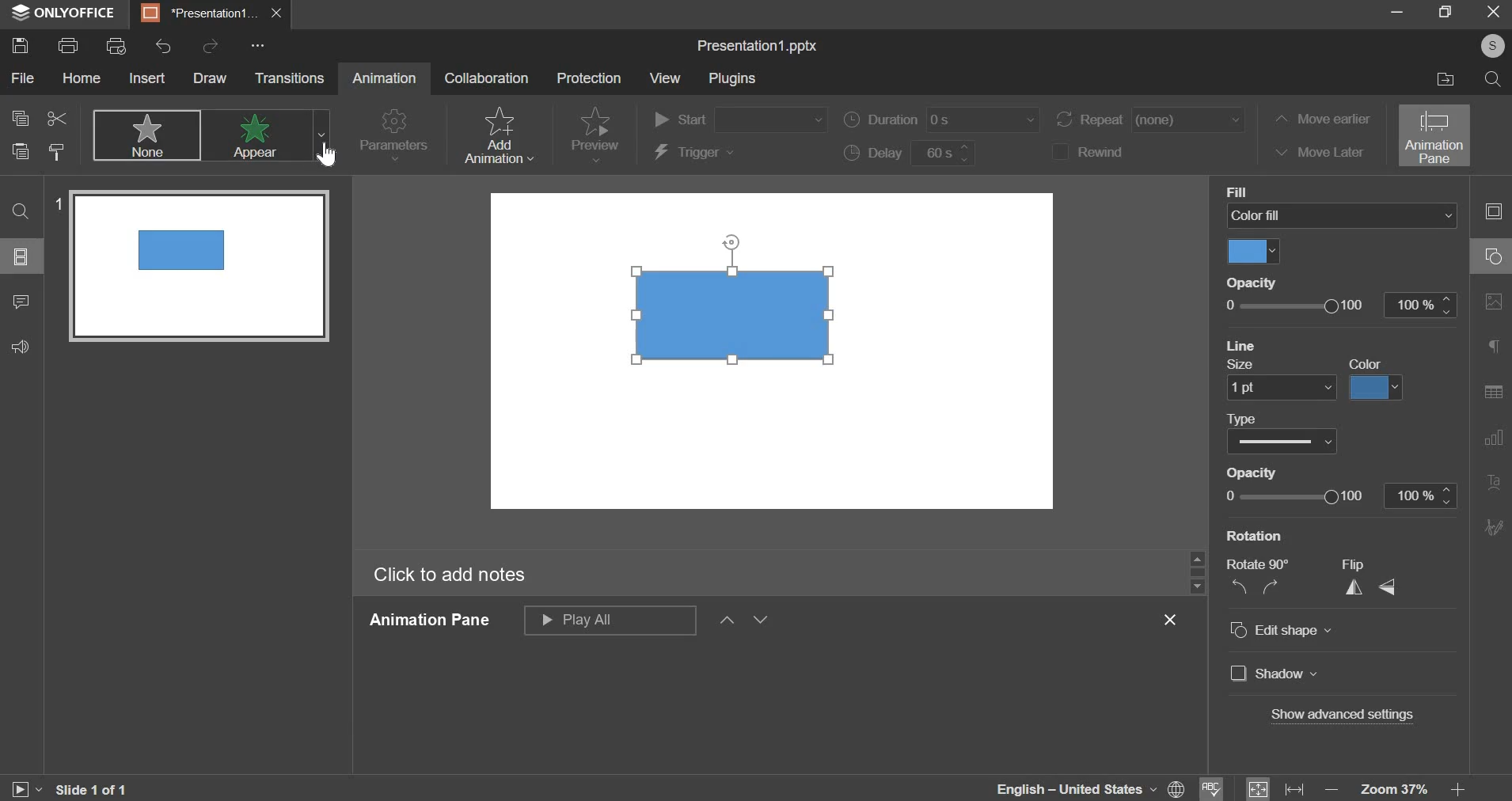  What do you see at coordinates (1245, 364) in the screenshot?
I see `size` at bounding box center [1245, 364].